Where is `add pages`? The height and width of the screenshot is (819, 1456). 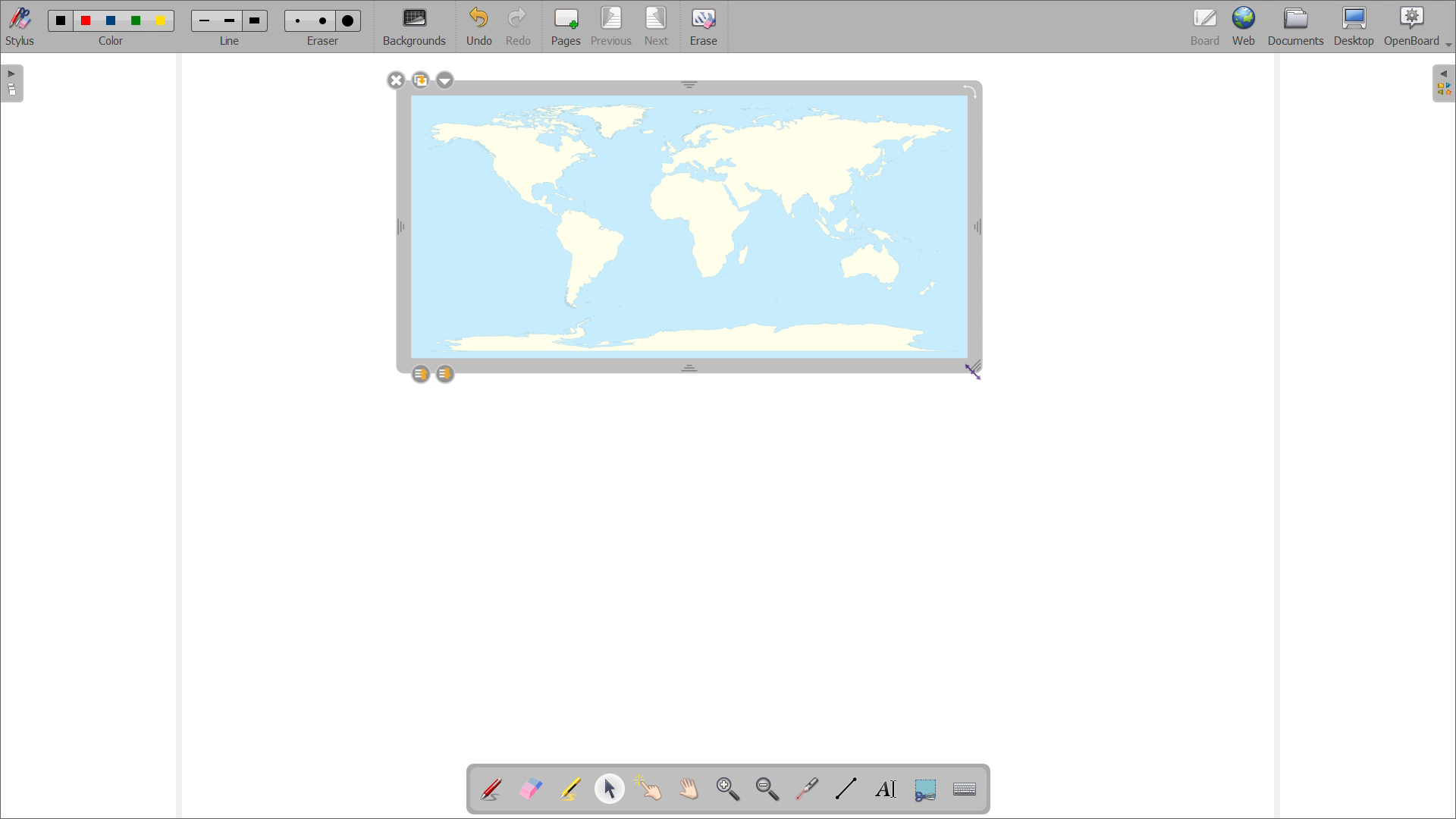
add pages is located at coordinates (564, 27).